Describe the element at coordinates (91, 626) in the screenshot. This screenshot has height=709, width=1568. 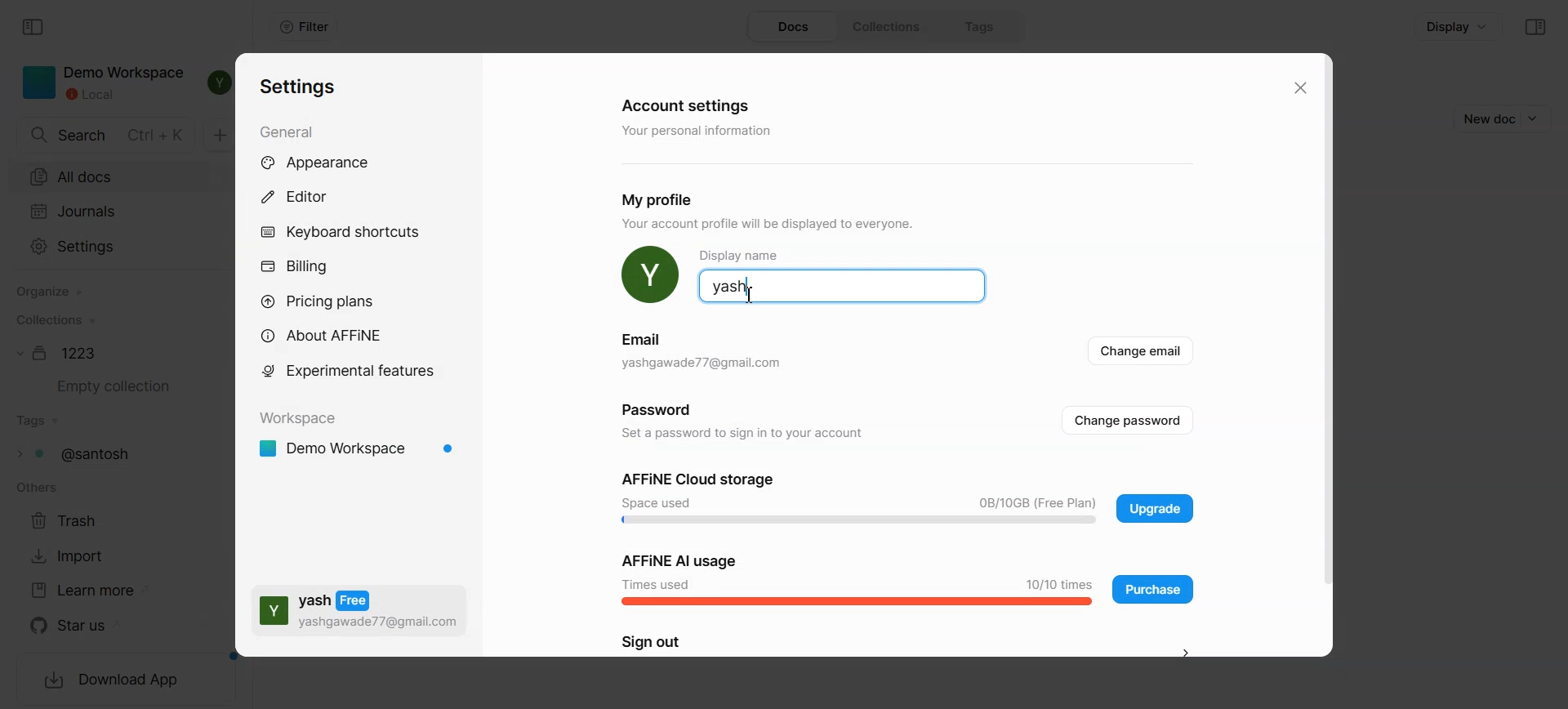
I see `Star us` at that location.